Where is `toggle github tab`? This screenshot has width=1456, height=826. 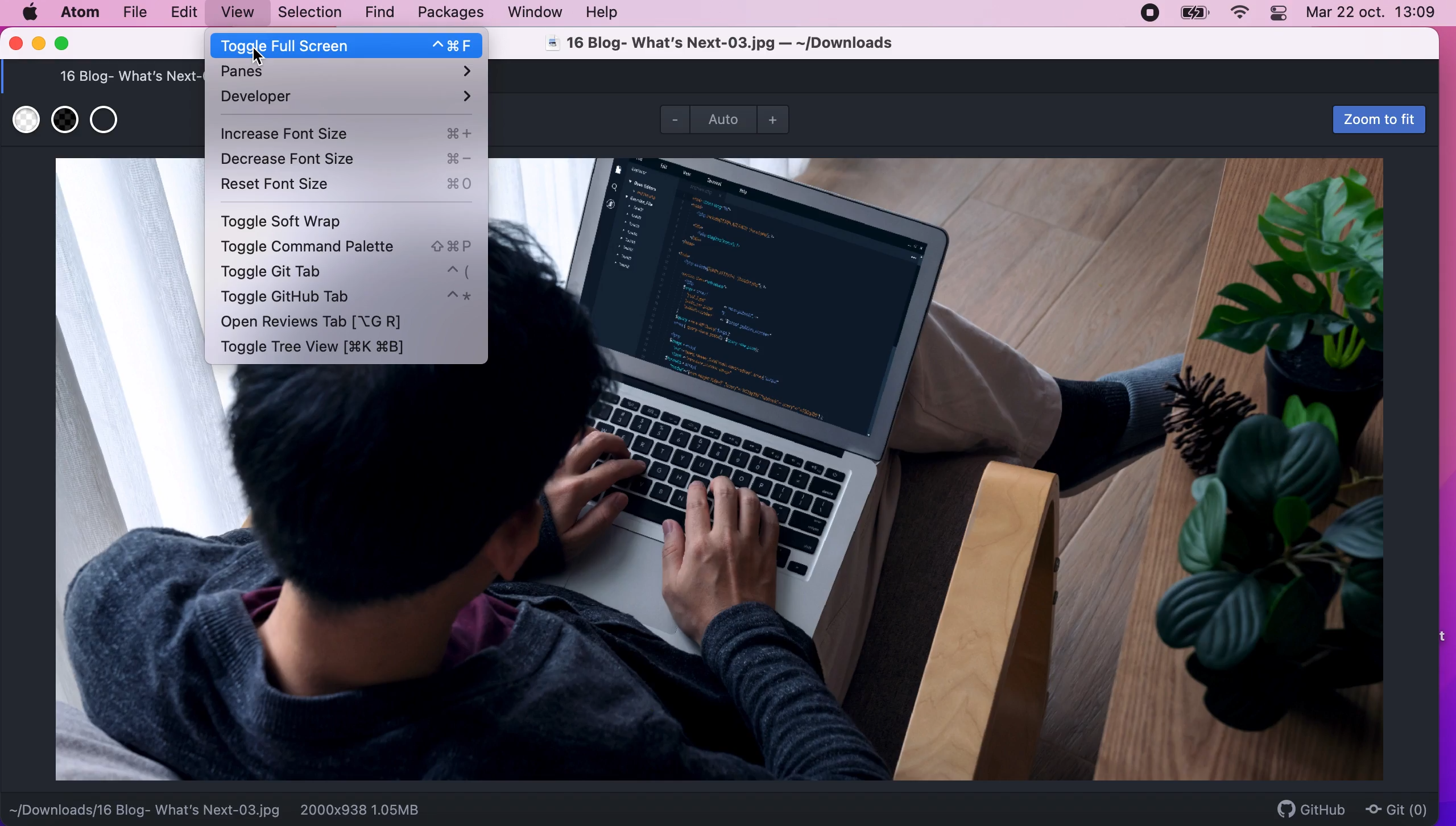 toggle github tab is located at coordinates (351, 298).